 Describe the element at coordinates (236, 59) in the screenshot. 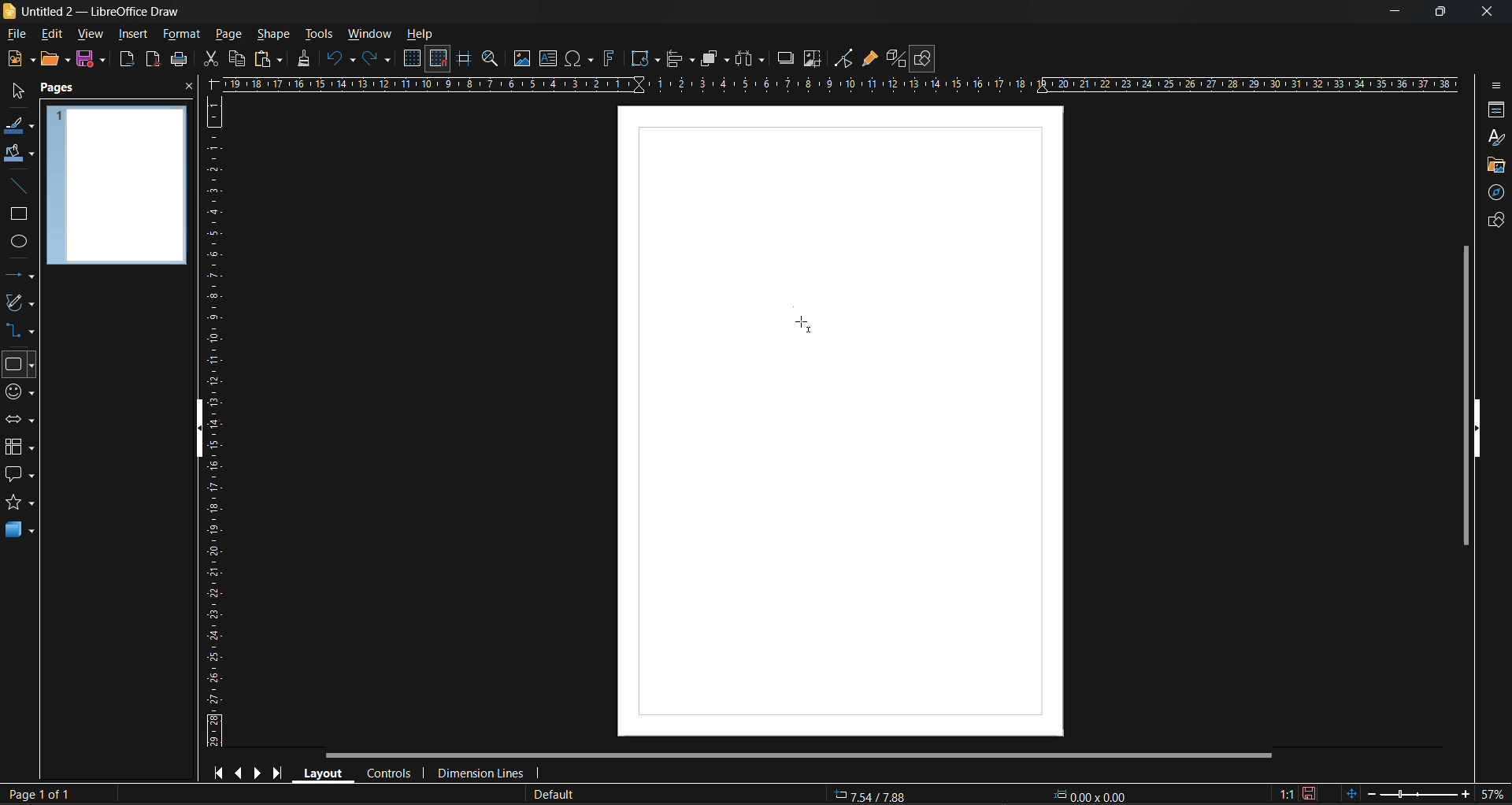

I see `copy` at that location.